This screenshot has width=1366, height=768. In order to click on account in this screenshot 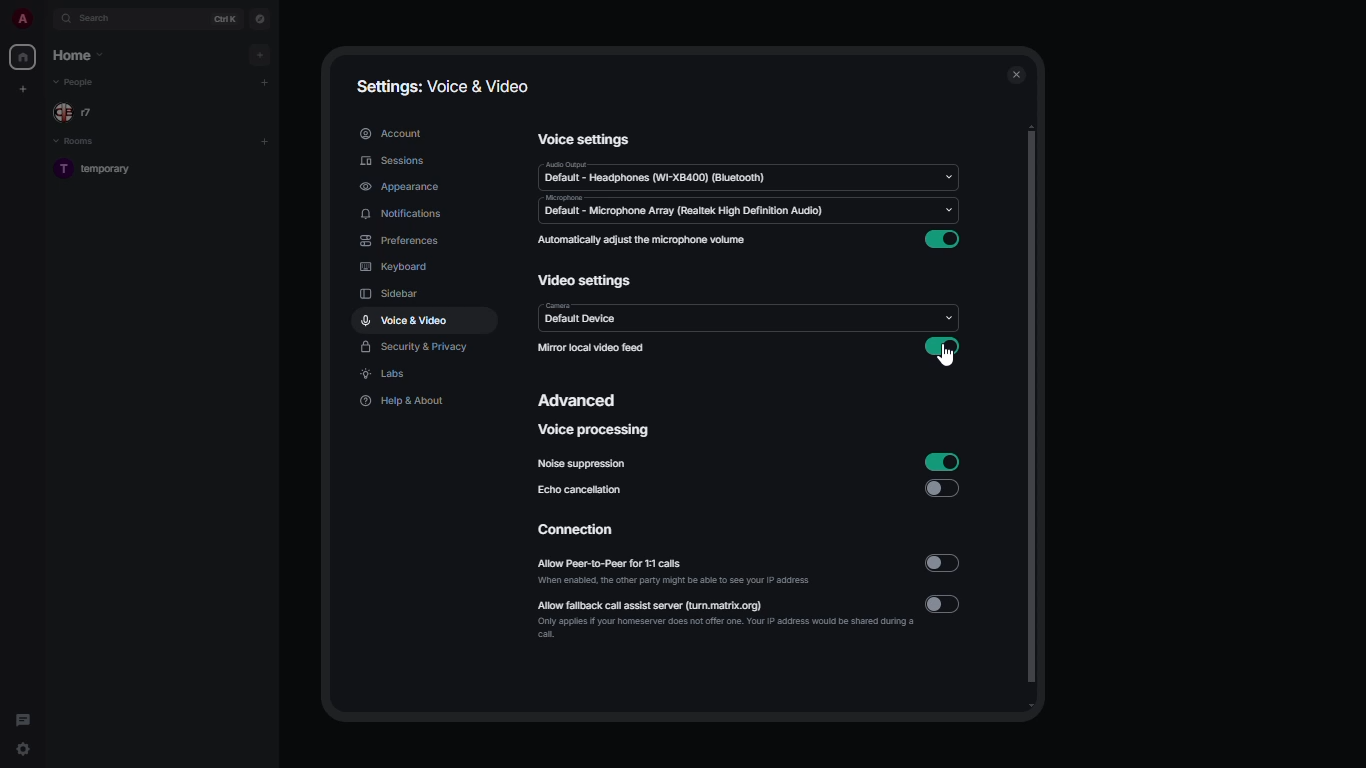, I will do `click(392, 134)`.